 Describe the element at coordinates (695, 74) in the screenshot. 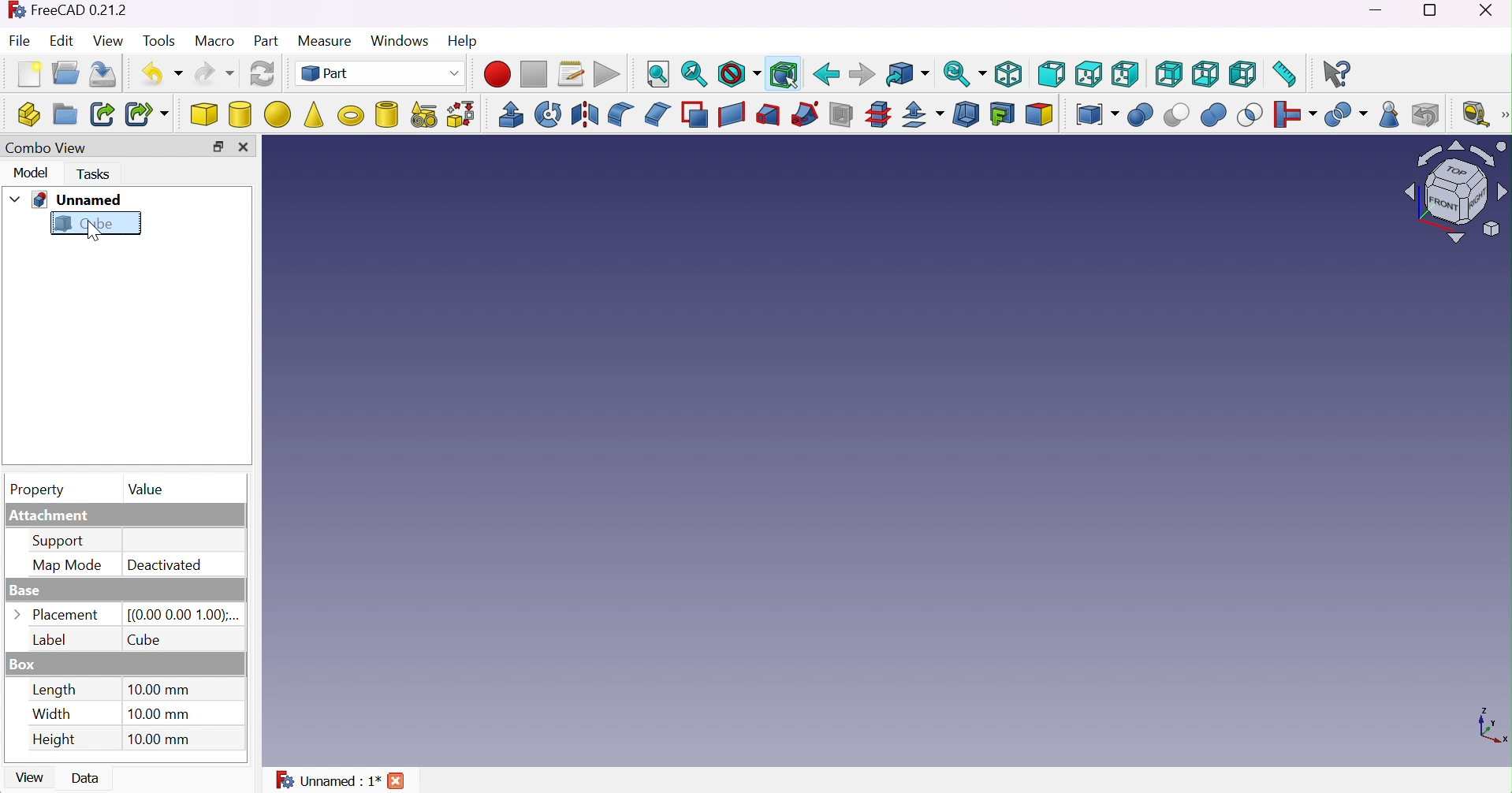

I see `Fit selection` at that location.